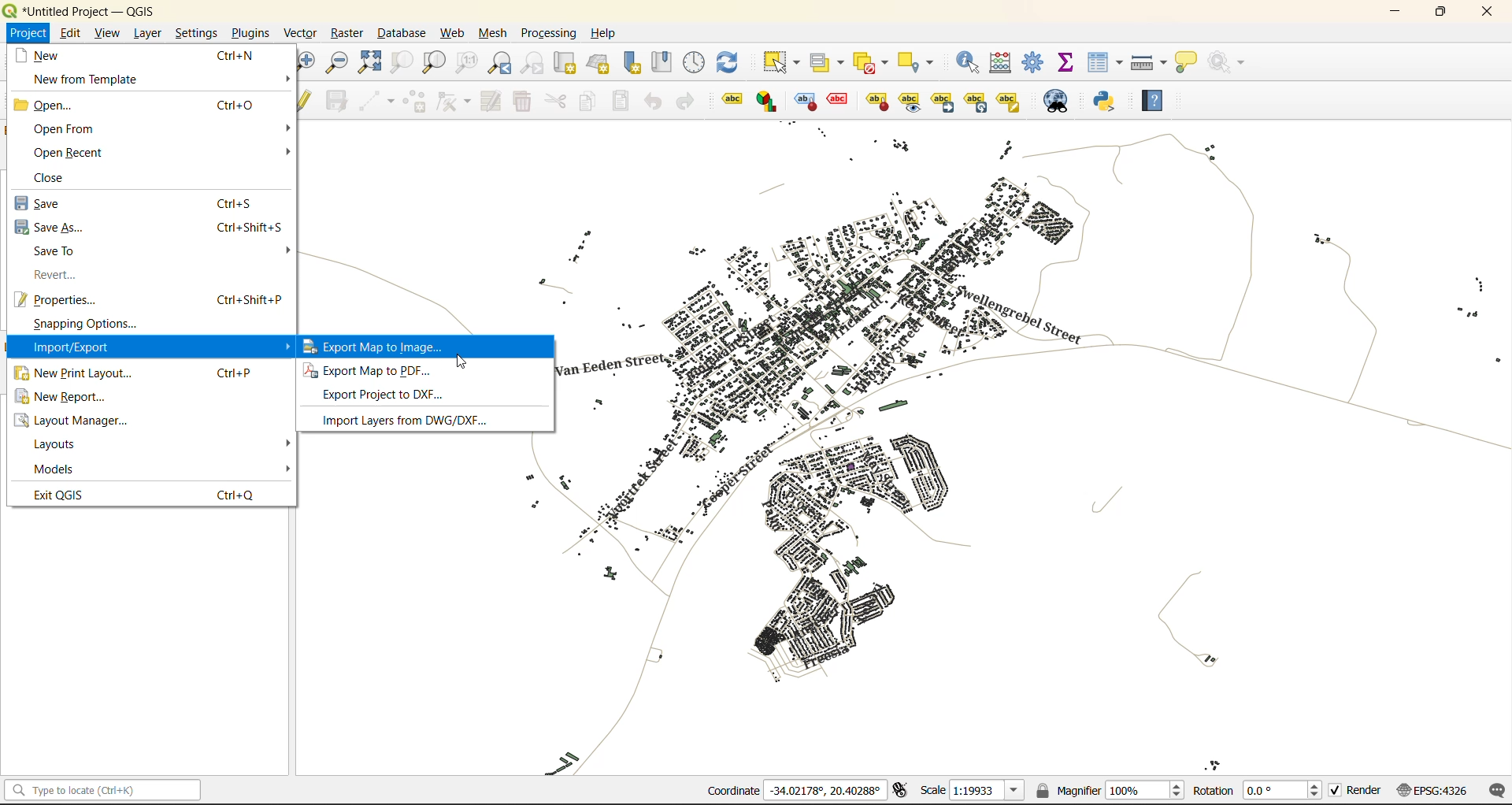 This screenshot has width=1512, height=805. I want to click on layout manager, so click(83, 421).